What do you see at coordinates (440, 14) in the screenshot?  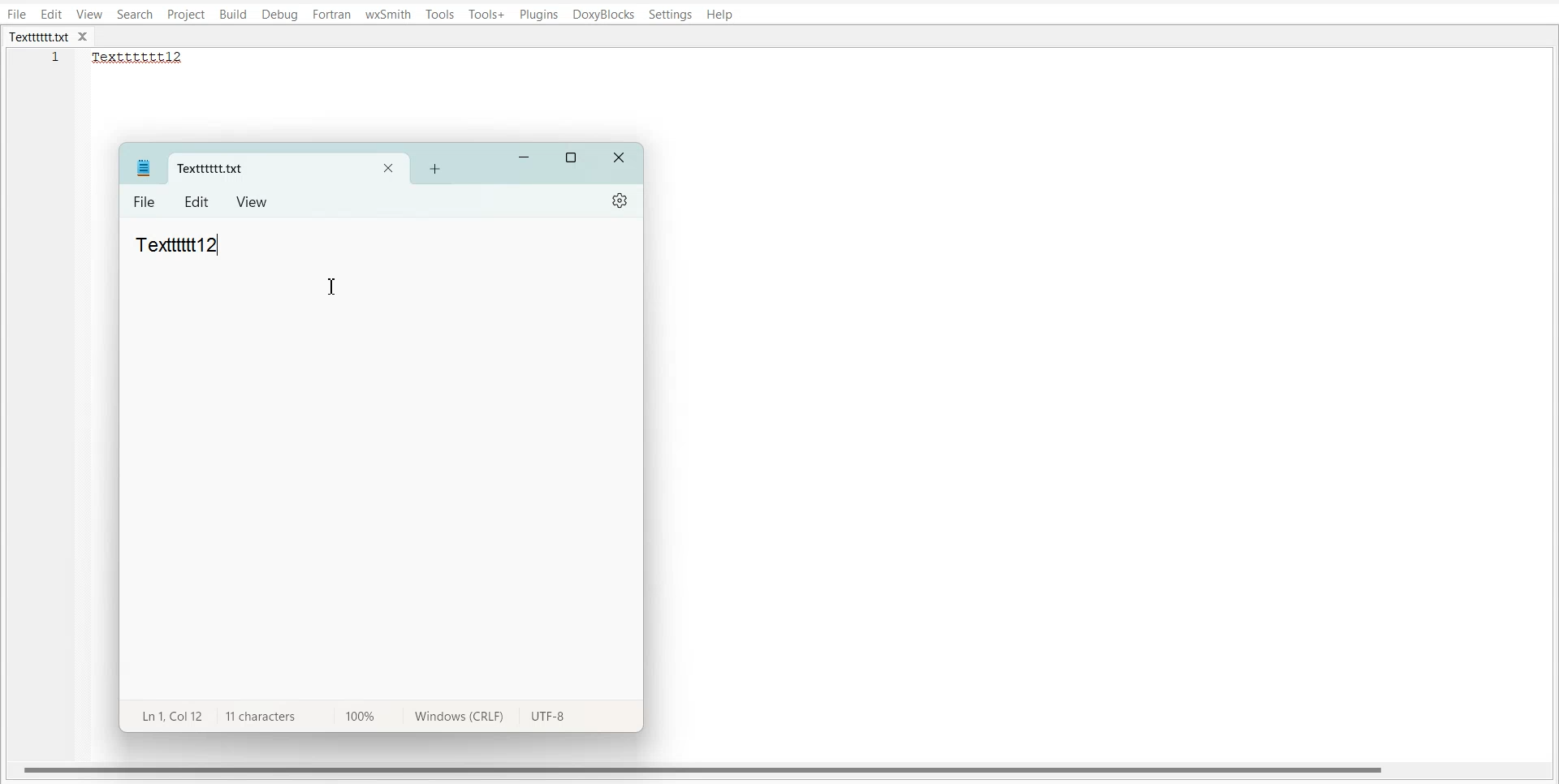 I see `Tools` at bounding box center [440, 14].